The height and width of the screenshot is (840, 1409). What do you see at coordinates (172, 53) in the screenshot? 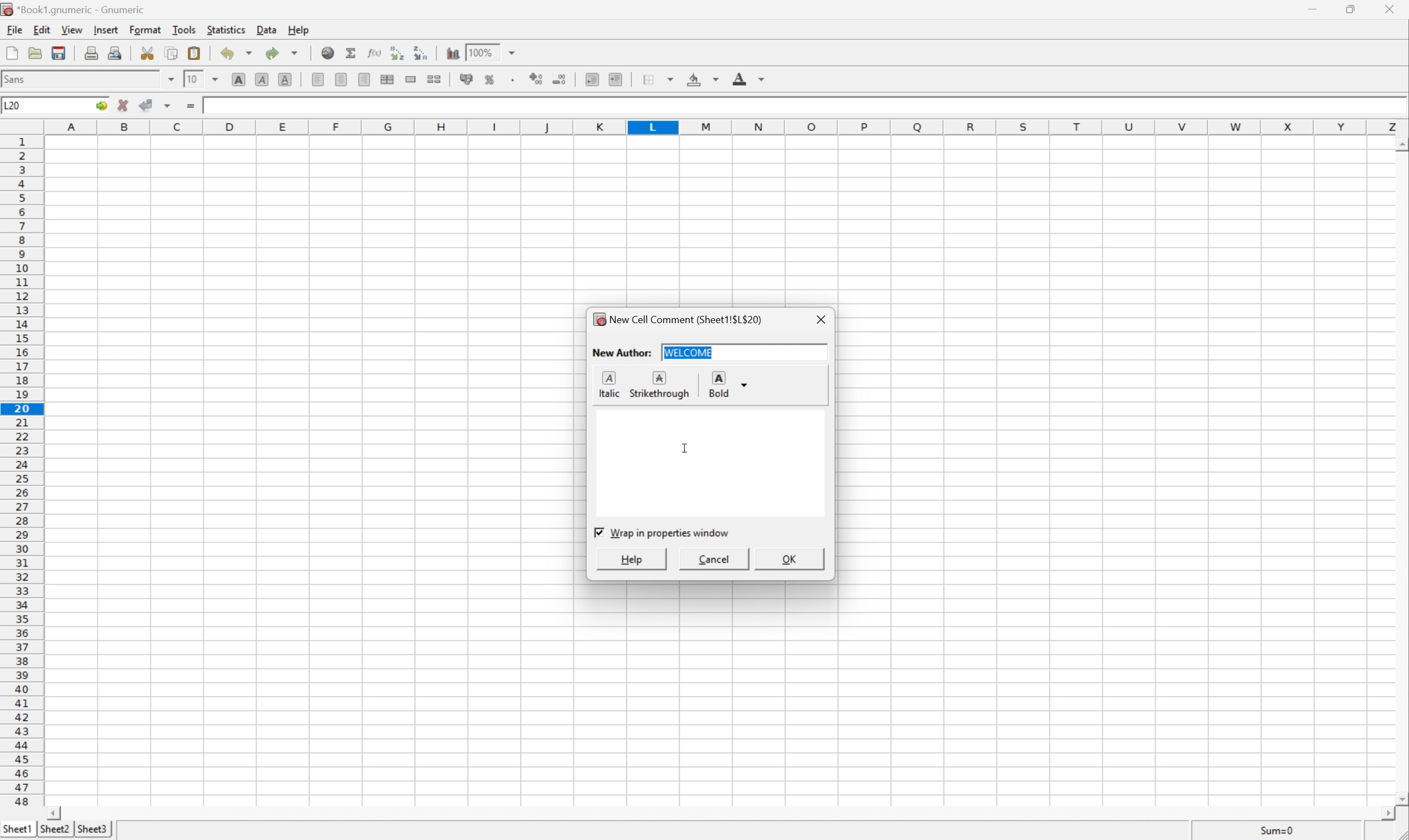
I see `Copy selection` at bounding box center [172, 53].